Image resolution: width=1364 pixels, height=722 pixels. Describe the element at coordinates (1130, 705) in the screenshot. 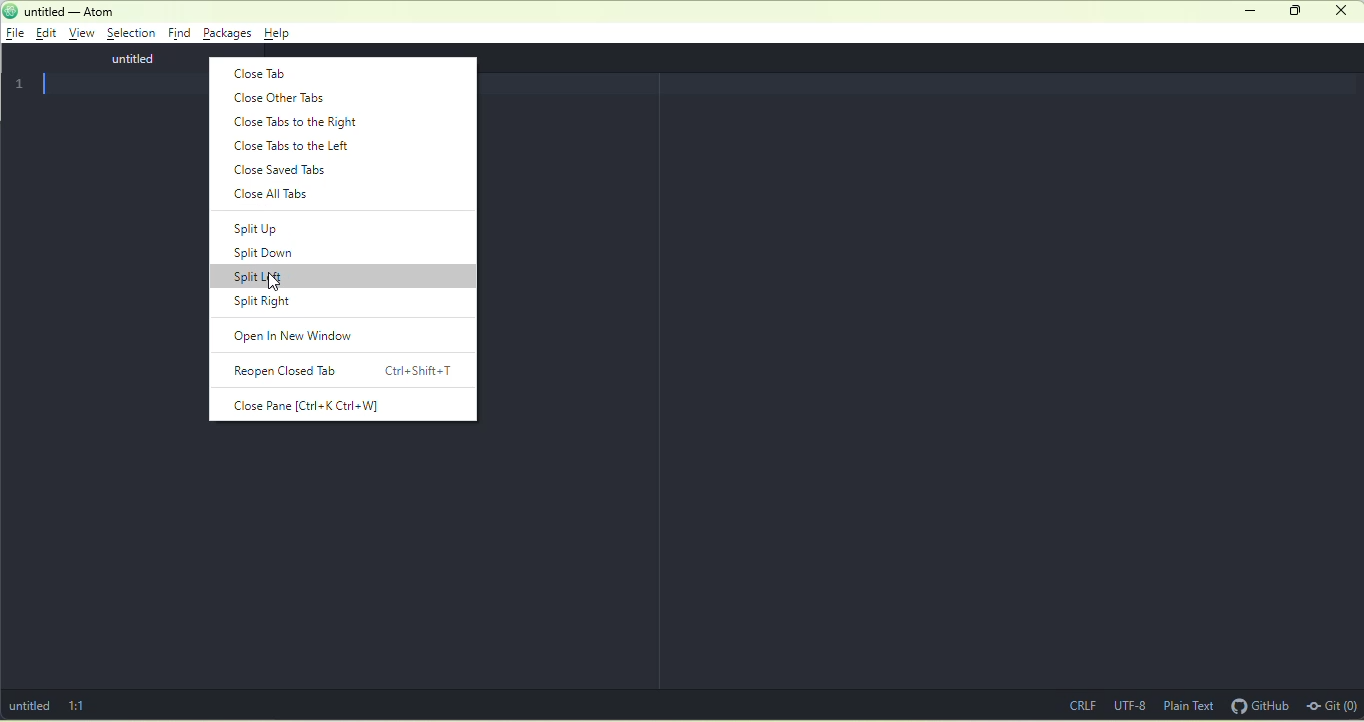

I see `UTF-8` at that location.